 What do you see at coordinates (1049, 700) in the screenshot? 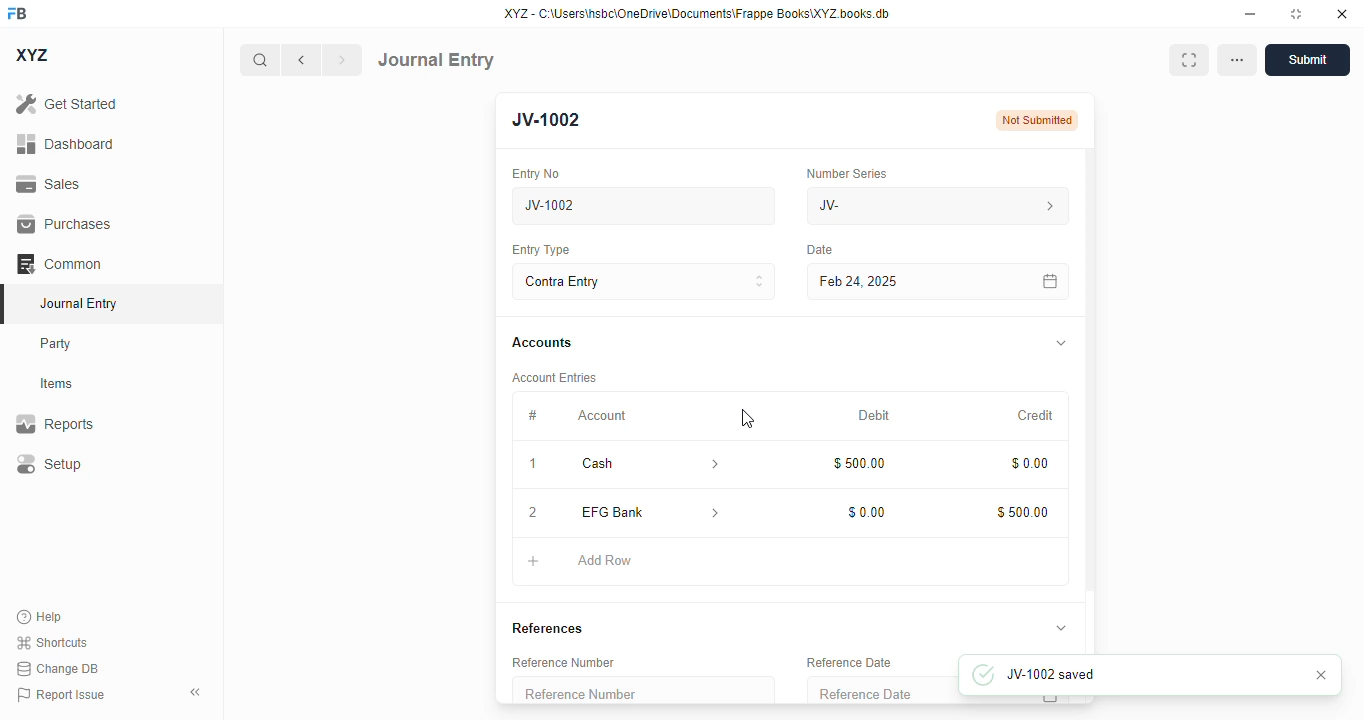
I see `calendar icon` at bounding box center [1049, 700].